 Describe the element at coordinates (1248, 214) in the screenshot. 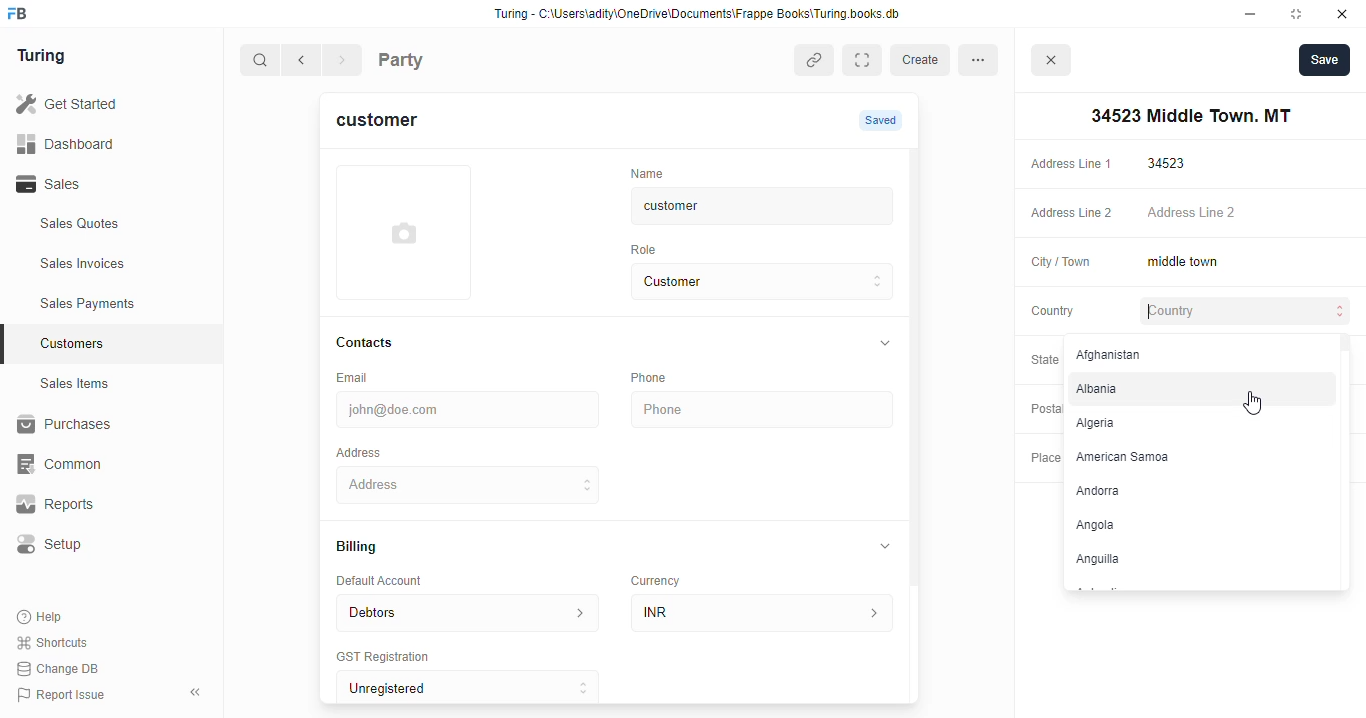

I see `Address Line 2` at that location.